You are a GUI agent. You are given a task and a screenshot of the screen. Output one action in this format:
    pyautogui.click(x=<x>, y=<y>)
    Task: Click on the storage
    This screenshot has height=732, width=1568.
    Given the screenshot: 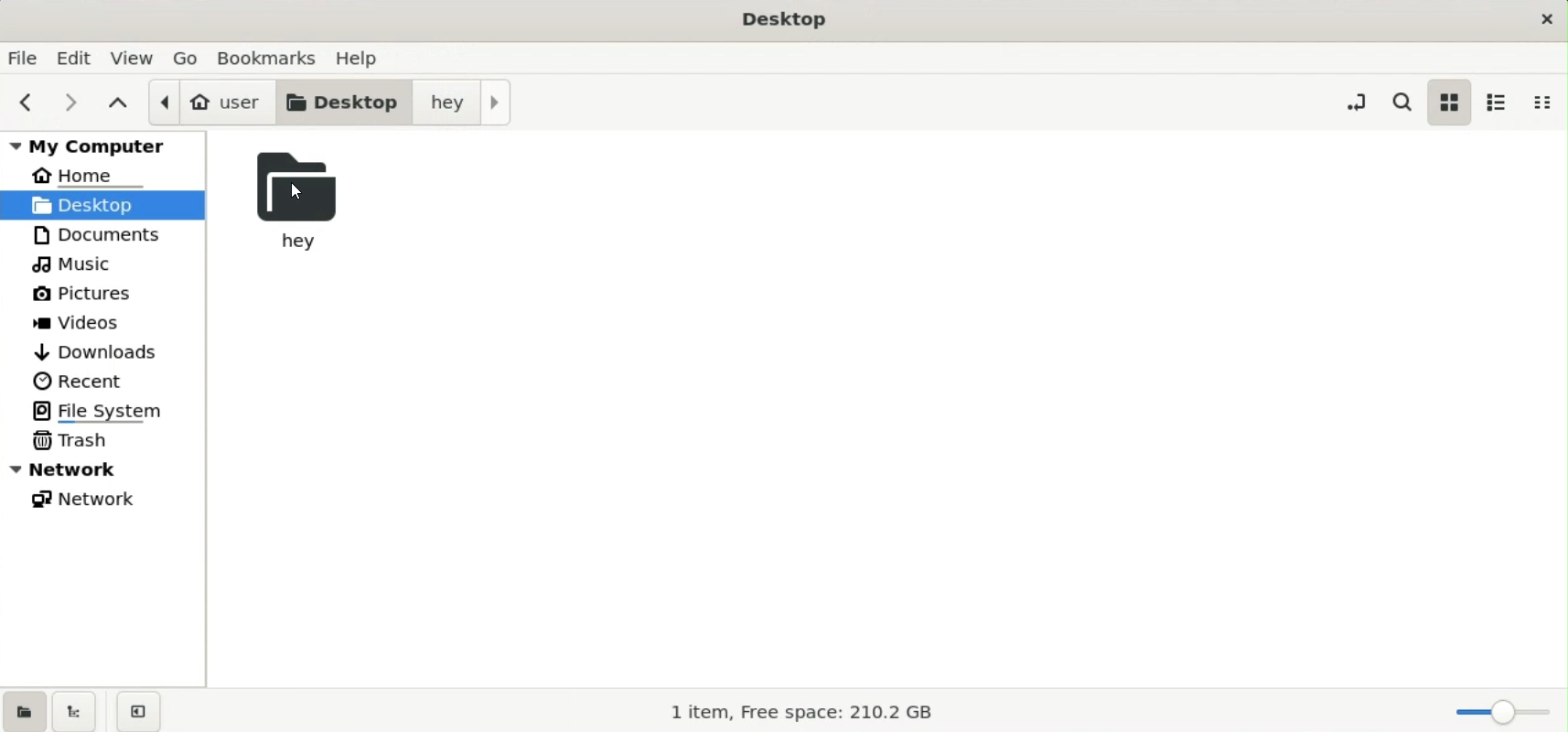 What is the action you would take?
    pyautogui.click(x=808, y=712)
    